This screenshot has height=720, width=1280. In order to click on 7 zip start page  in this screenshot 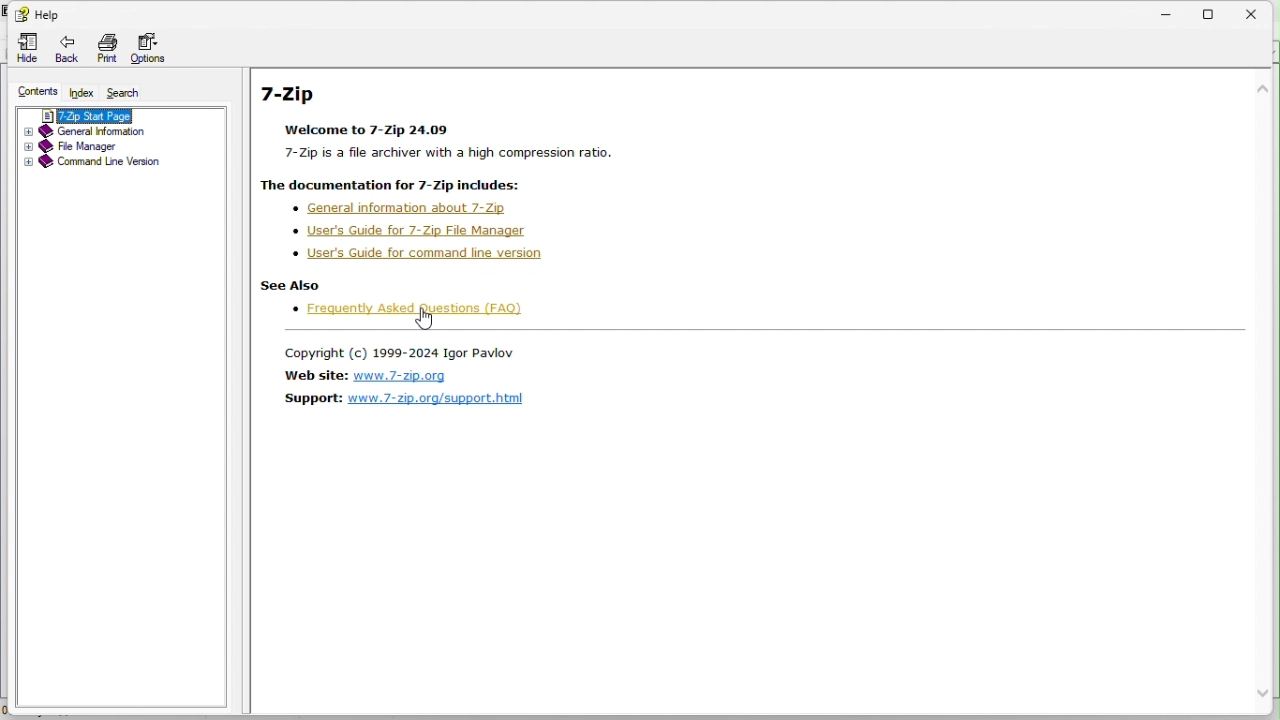, I will do `click(115, 116)`.